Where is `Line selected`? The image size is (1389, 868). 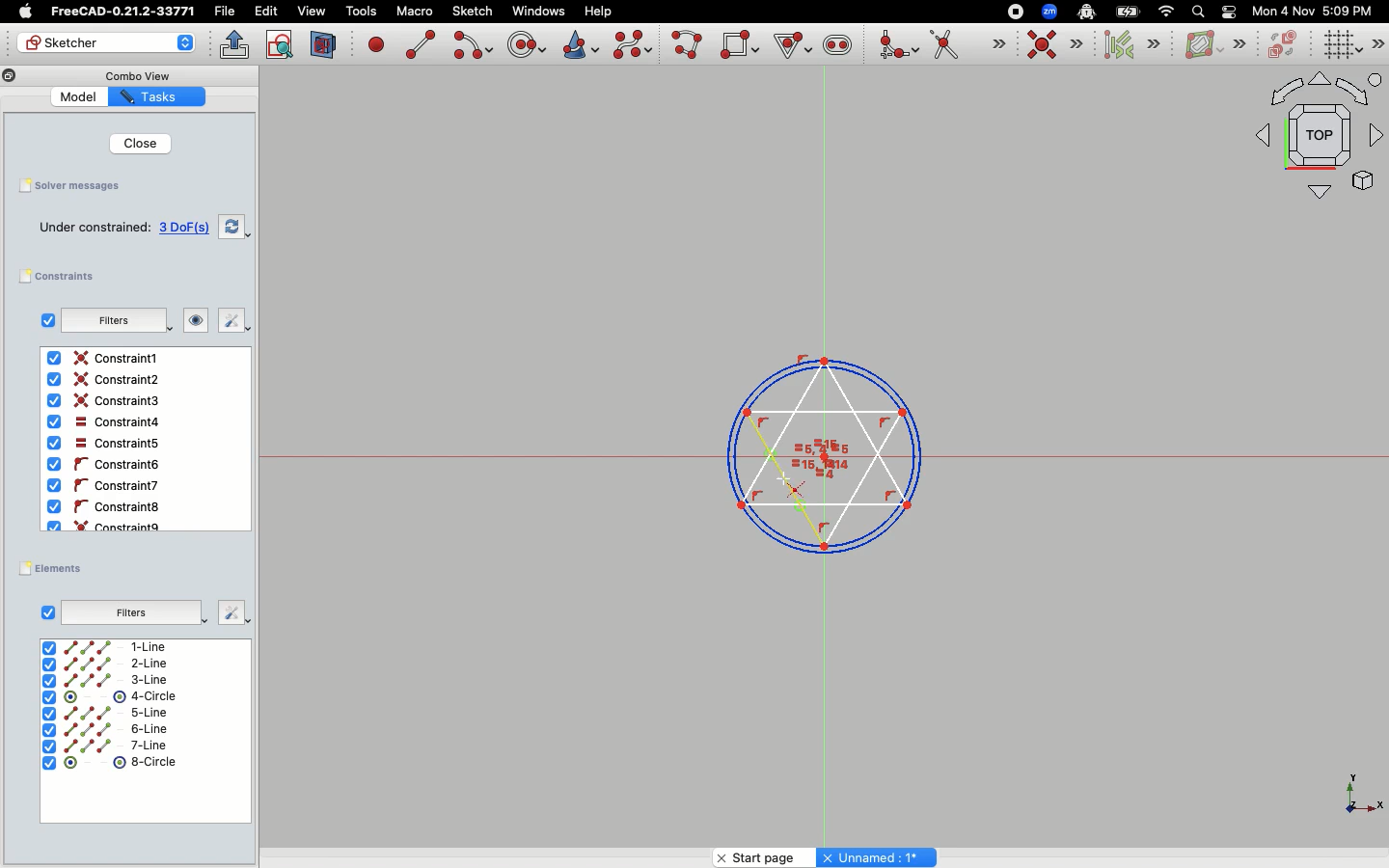
Line selected is located at coordinates (822, 449).